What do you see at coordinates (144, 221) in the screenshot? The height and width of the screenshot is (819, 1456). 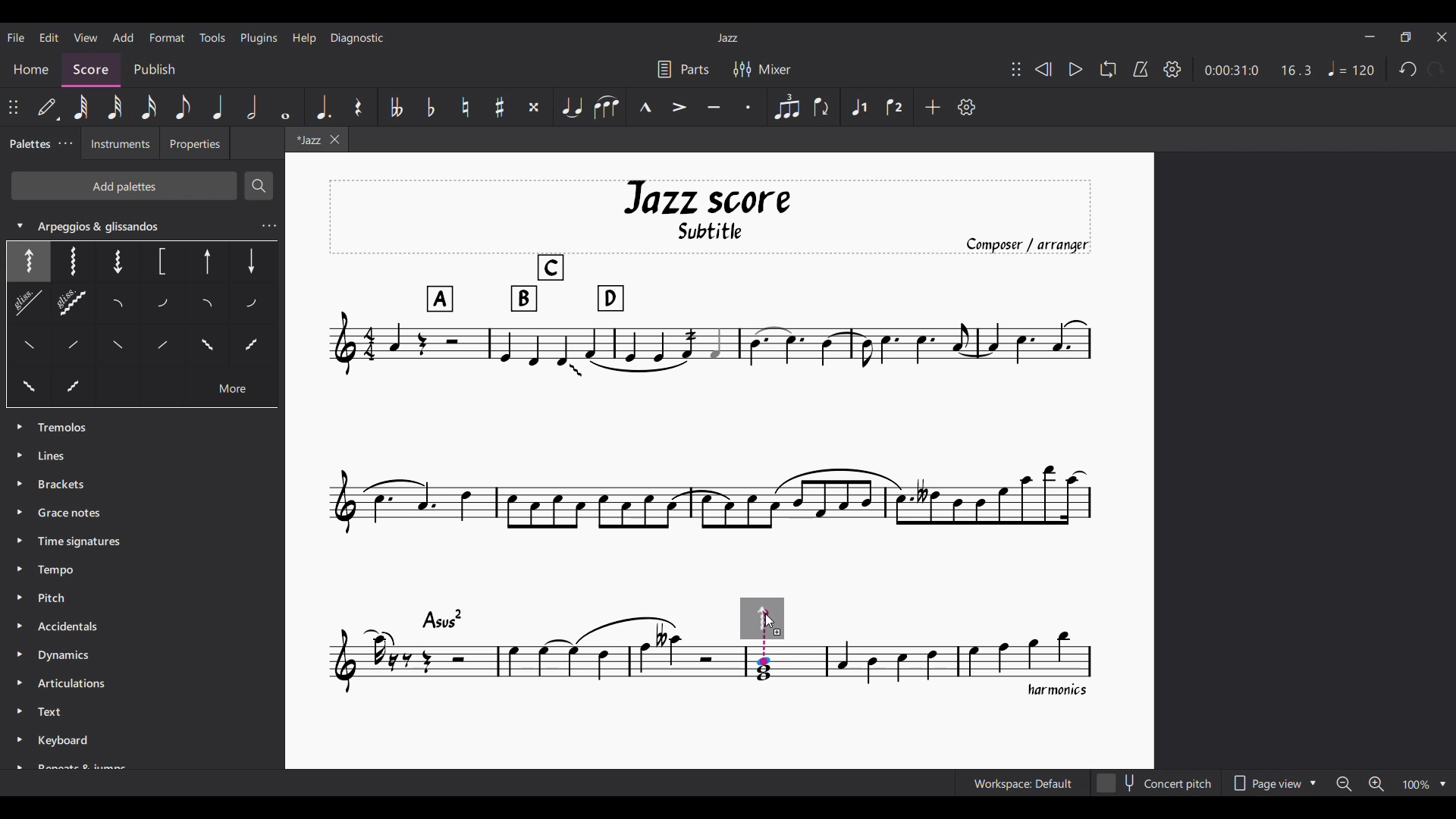 I see `Arpeggios & glissandos` at bounding box center [144, 221].